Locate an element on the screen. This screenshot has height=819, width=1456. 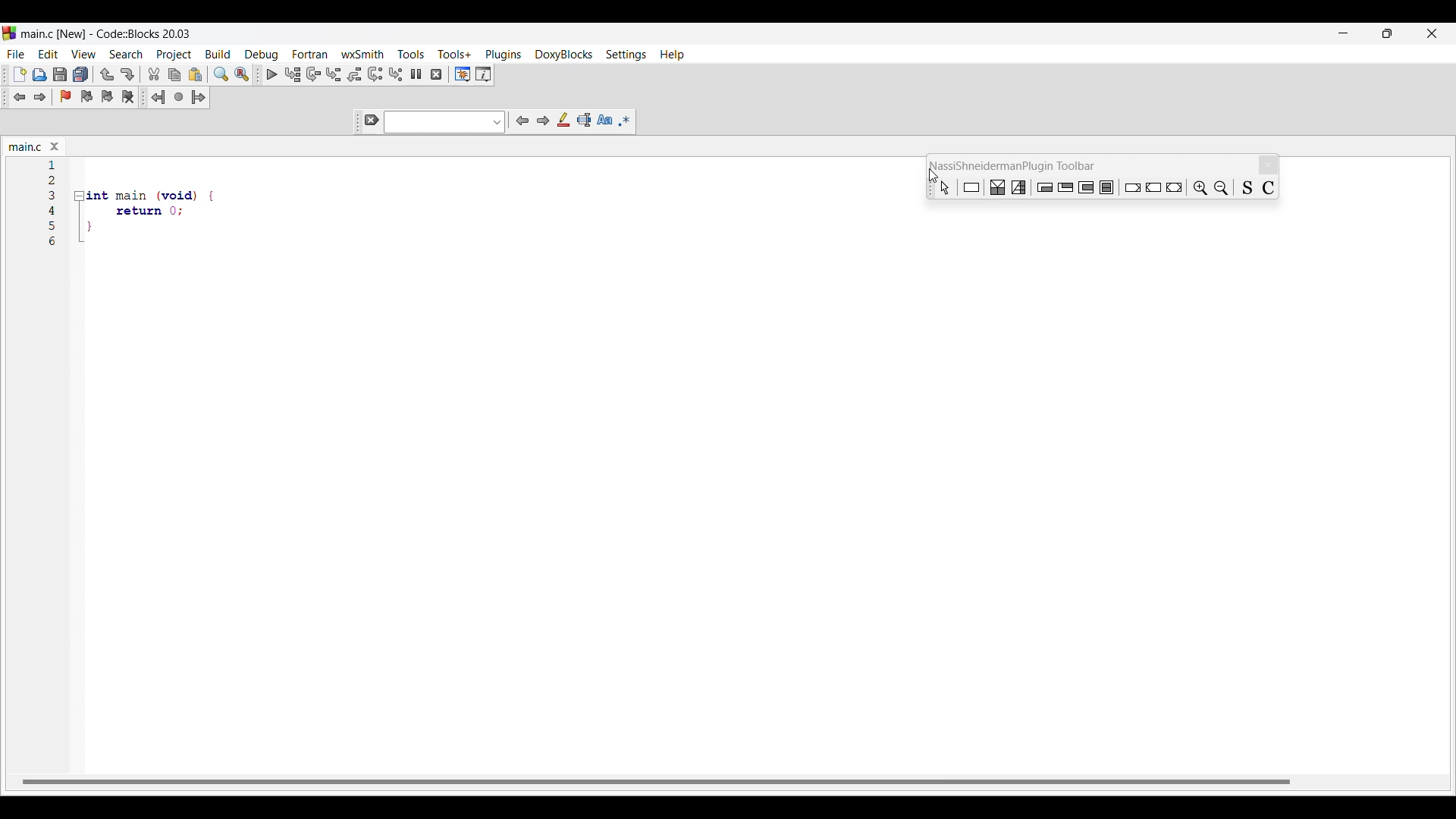
 is located at coordinates (52, 180).